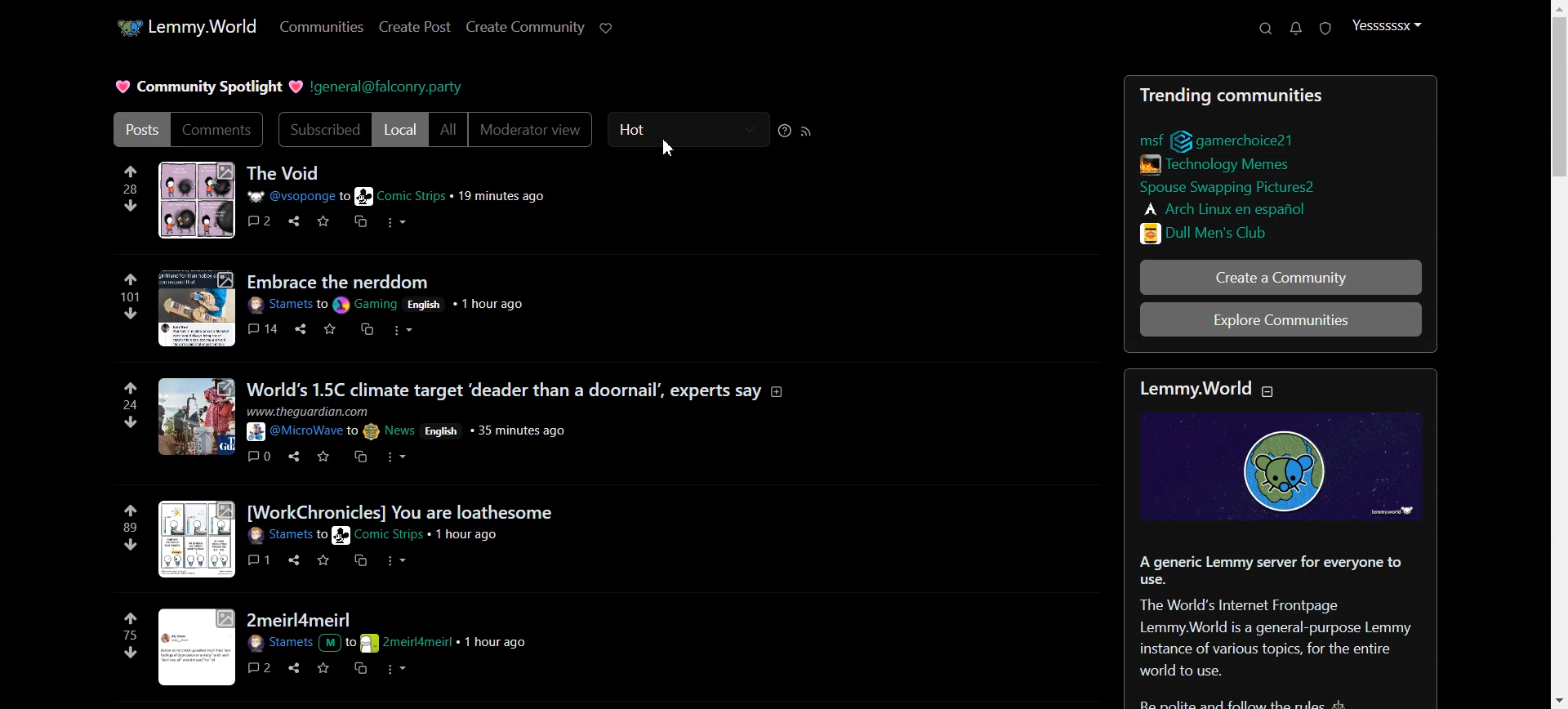  Describe the element at coordinates (131, 653) in the screenshot. I see `downvote` at that location.